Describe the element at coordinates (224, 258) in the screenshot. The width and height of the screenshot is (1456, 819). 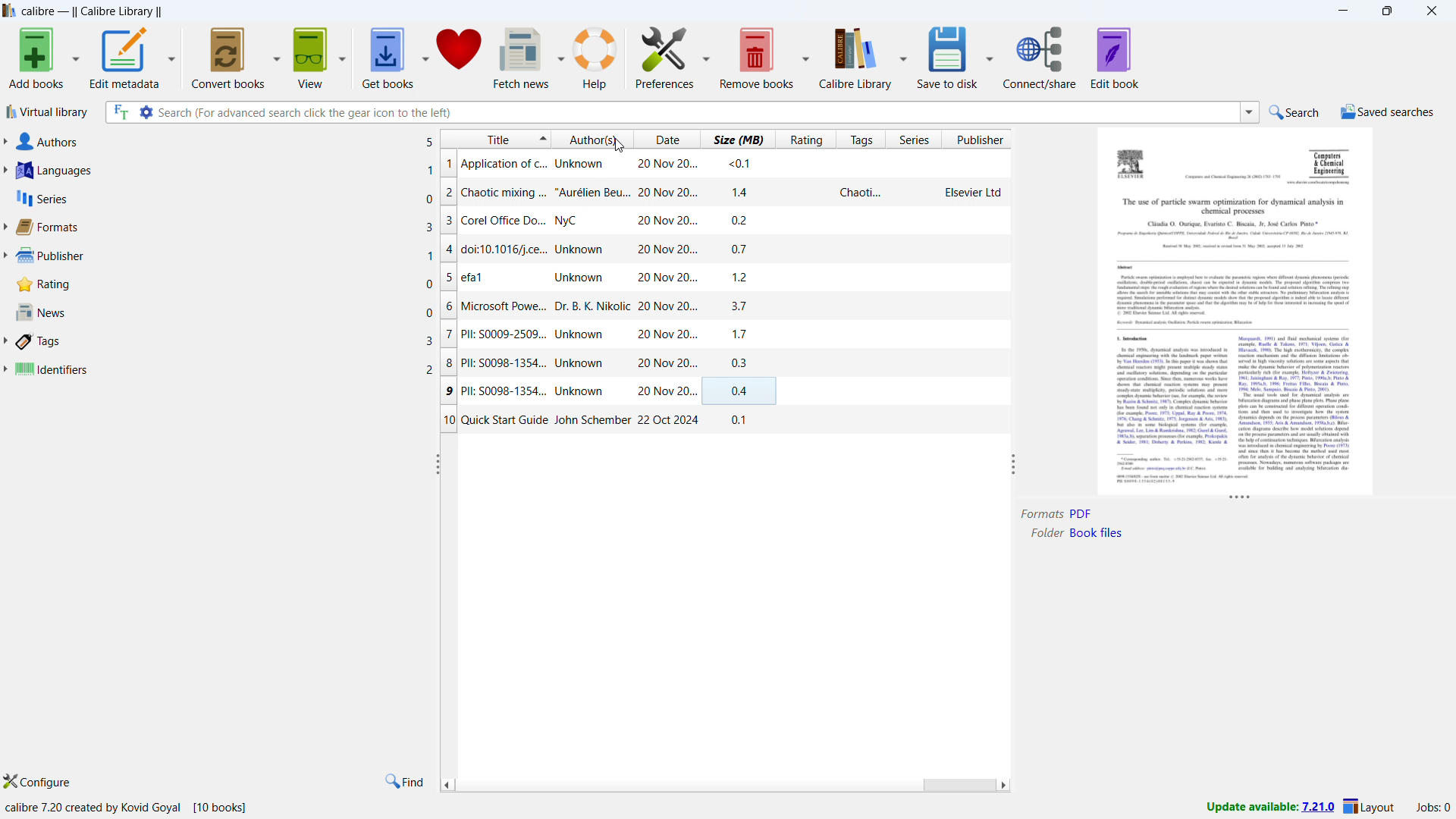
I see `publisher` at that location.